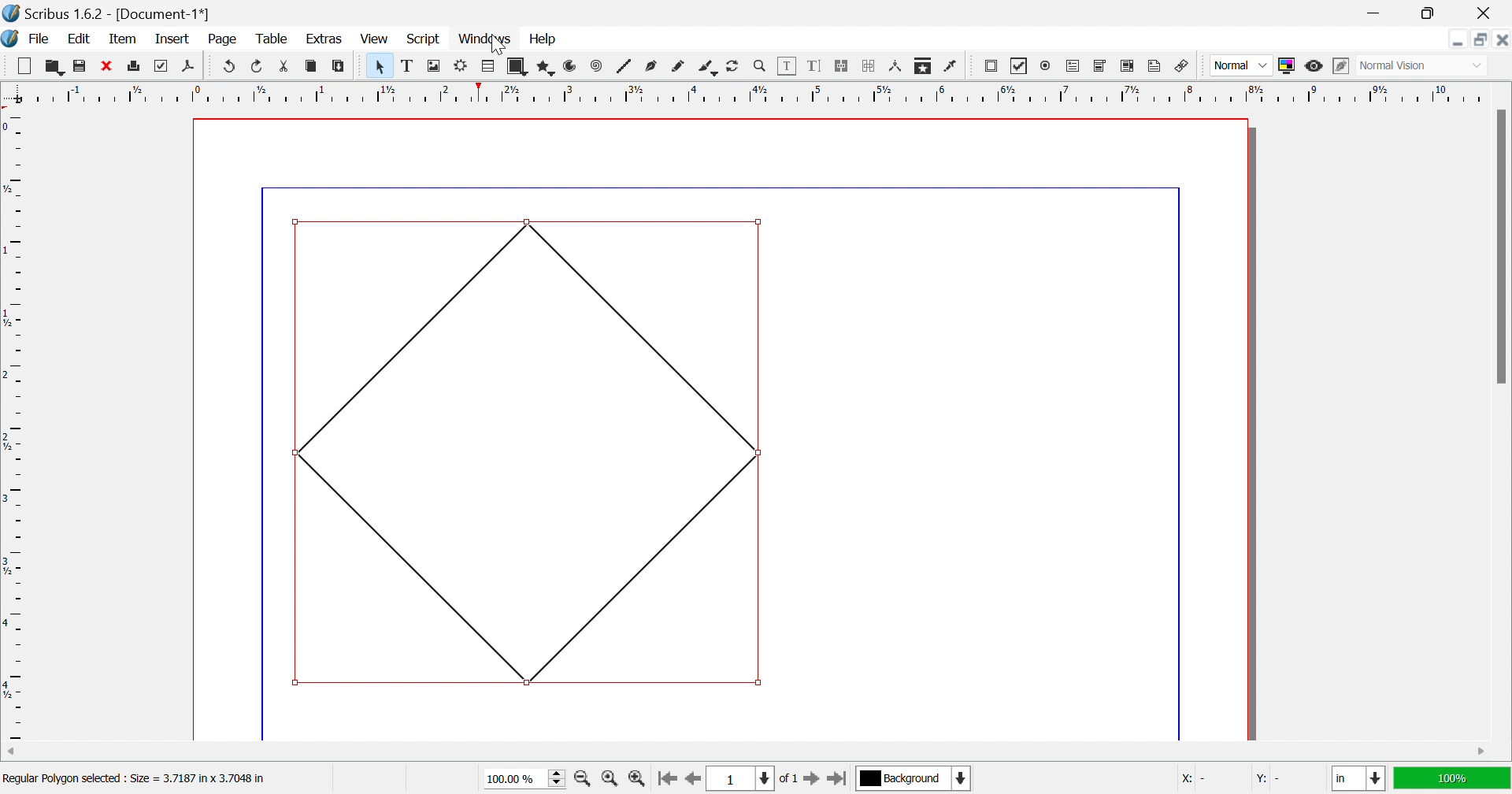 The image size is (1512, 794). I want to click on File, so click(40, 40).